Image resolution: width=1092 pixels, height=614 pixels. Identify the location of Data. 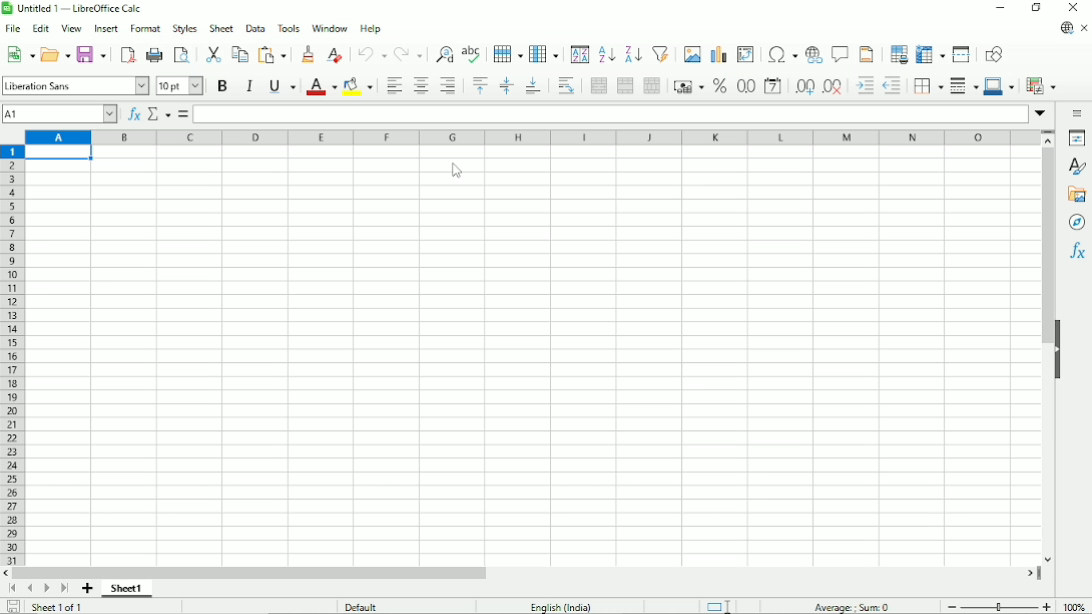
(256, 27).